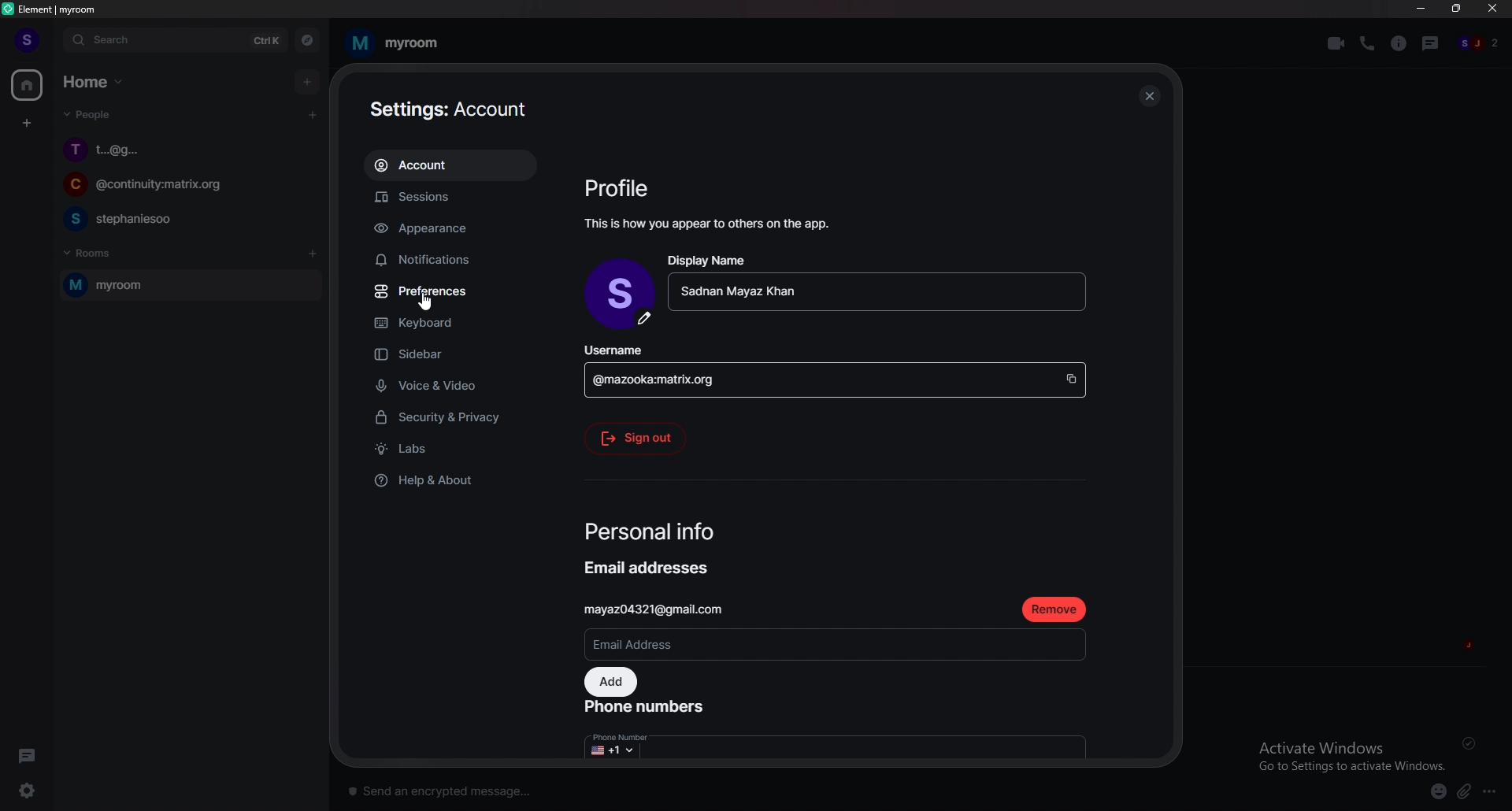  What do you see at coordinates (25, 39) in the screenshot?
I see `profile` at bounding box center [25, 39].